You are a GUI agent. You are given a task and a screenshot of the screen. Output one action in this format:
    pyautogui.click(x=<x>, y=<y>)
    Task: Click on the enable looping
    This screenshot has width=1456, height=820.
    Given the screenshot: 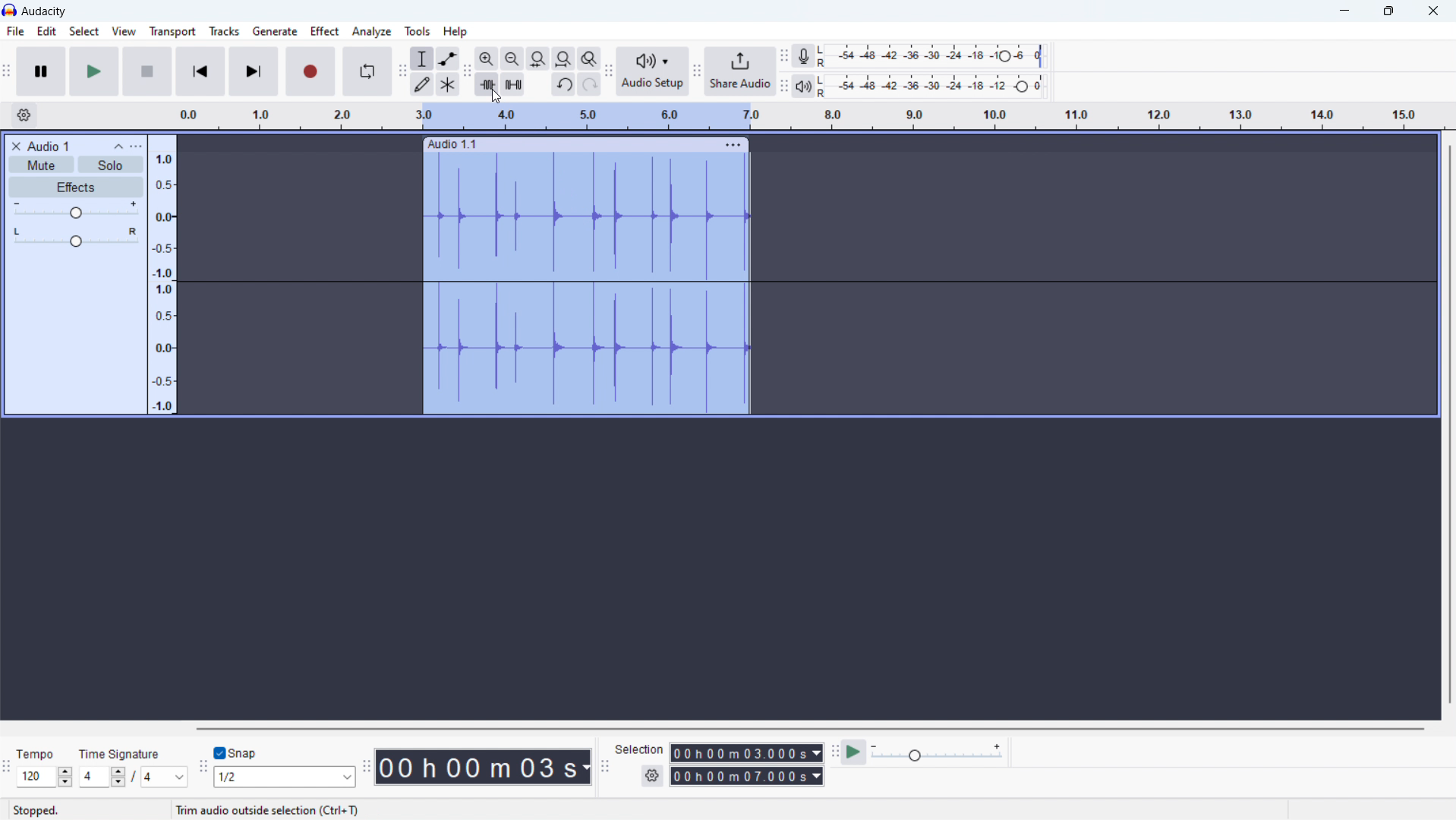 What is the action you would take?
    pyautogui.click(x=367, y=72)
    